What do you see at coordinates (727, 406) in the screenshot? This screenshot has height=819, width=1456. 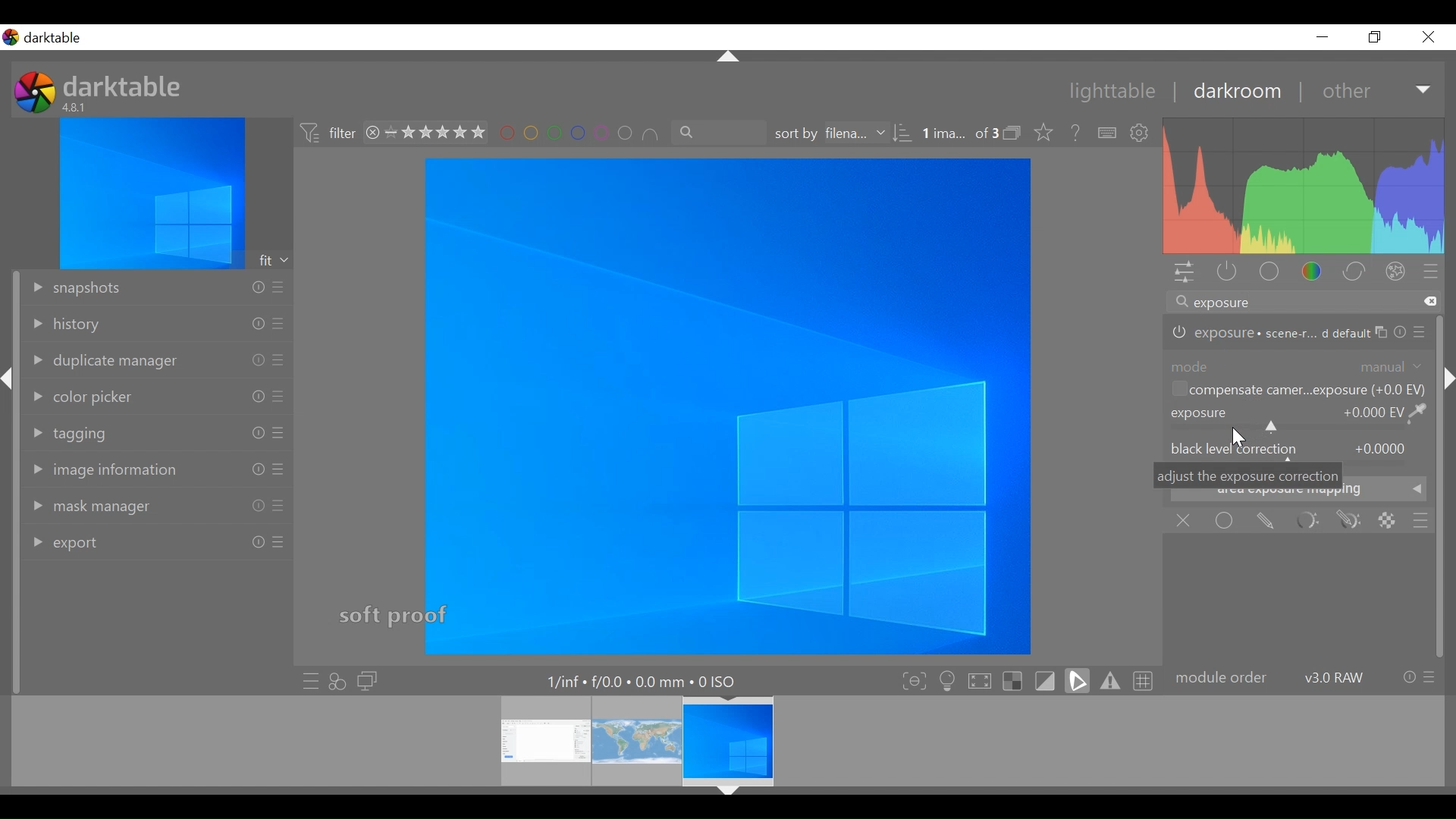 I see `image` at bounding box center [727, 406].